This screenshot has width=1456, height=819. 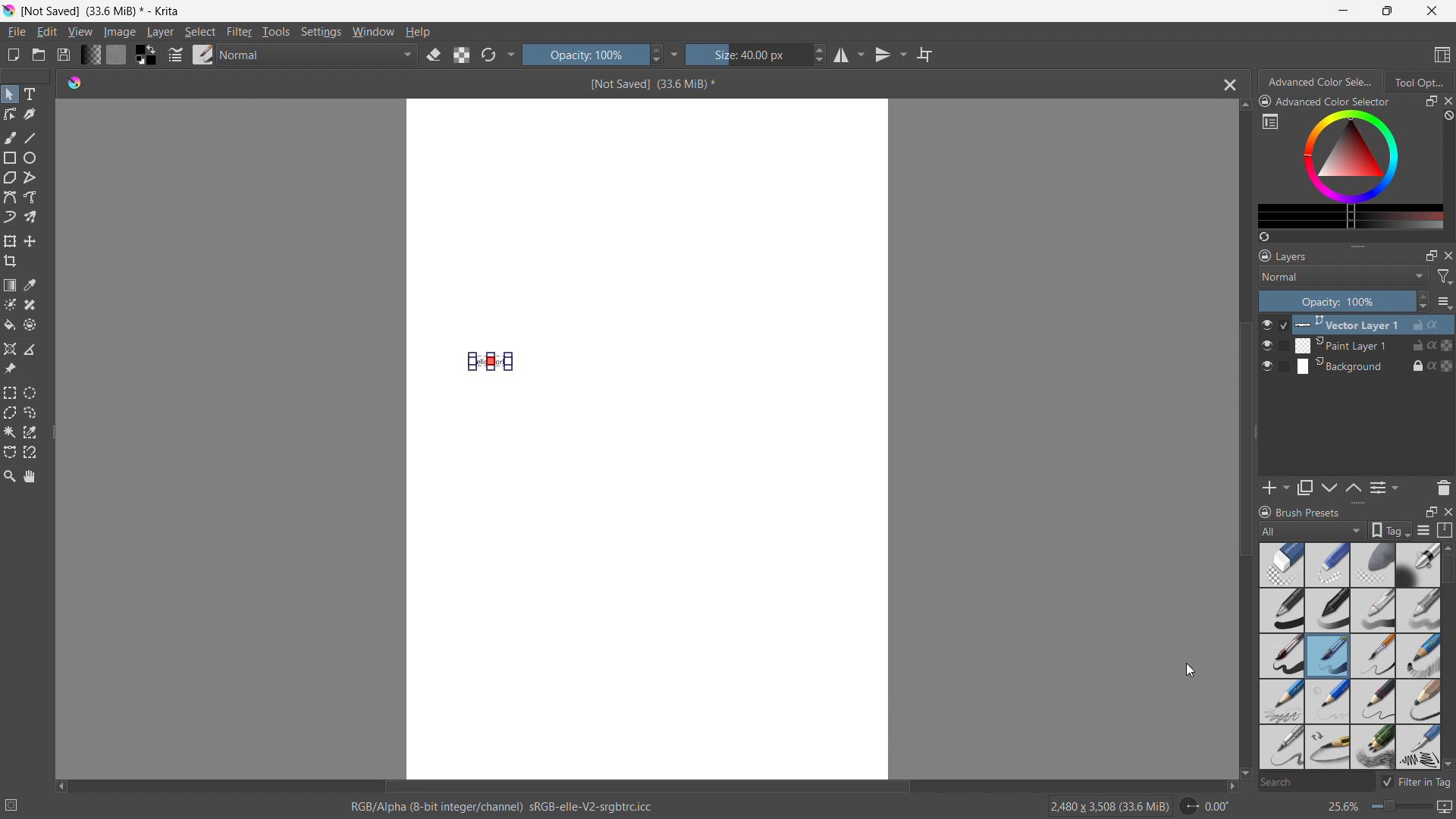 What do you see at coordinates (1325, 101) in the screenshot?
I see `advanced color selector` at bounding box center [1325, 101].